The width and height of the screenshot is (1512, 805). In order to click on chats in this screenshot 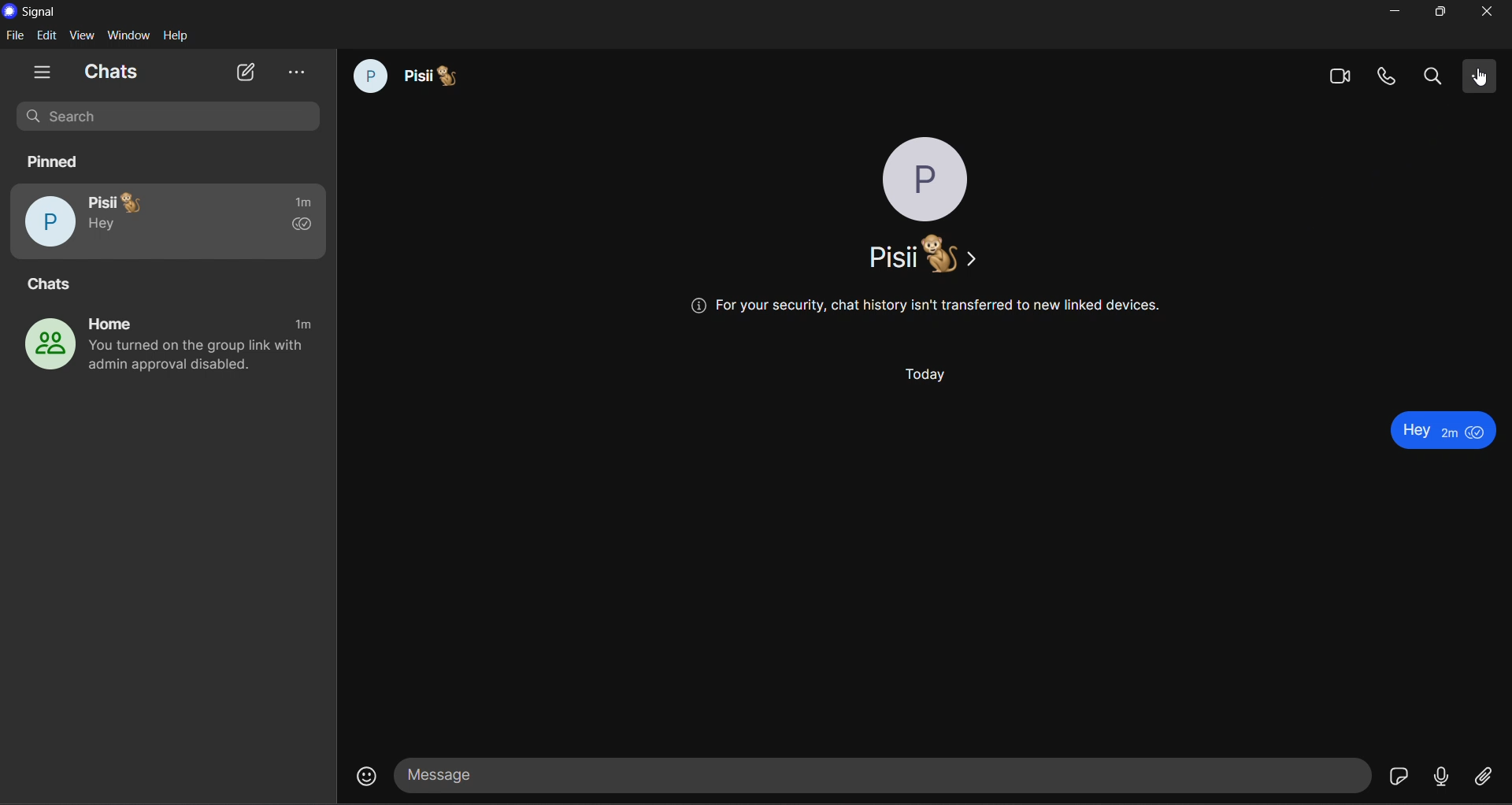, I will do `click(54, 287)`.